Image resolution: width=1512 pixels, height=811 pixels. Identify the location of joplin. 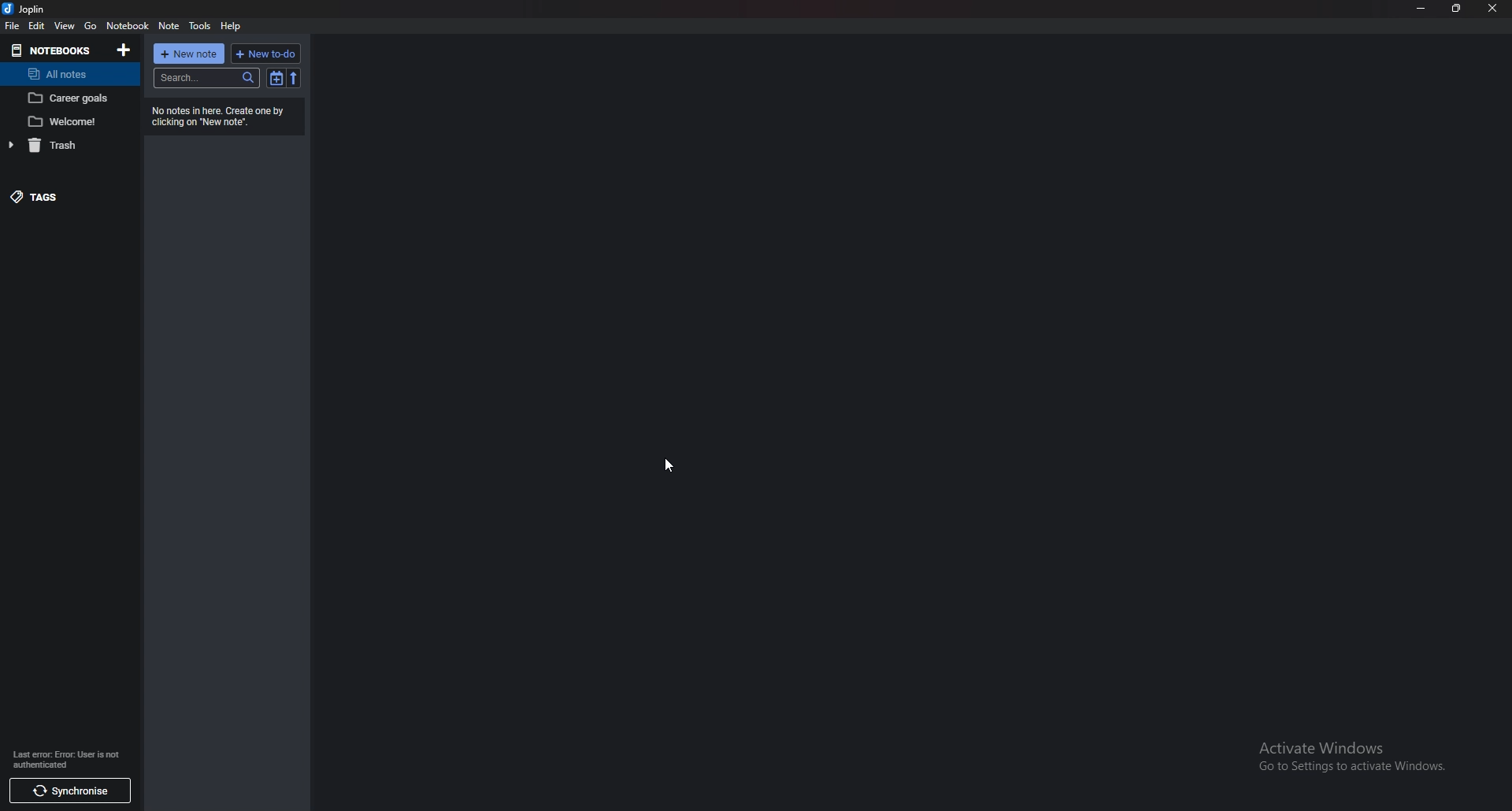
(27, 9).